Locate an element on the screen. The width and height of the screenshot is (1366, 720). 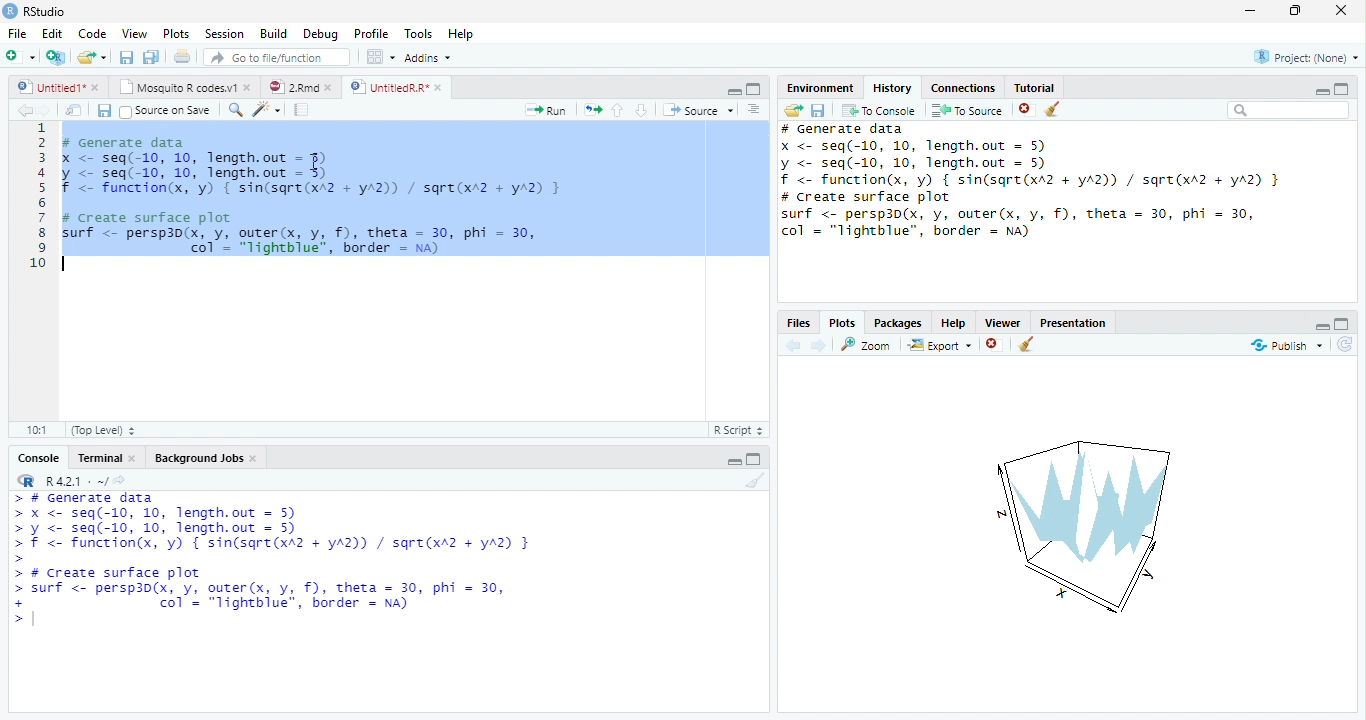
UntitledR.R* is located at coordinates (387, 87).